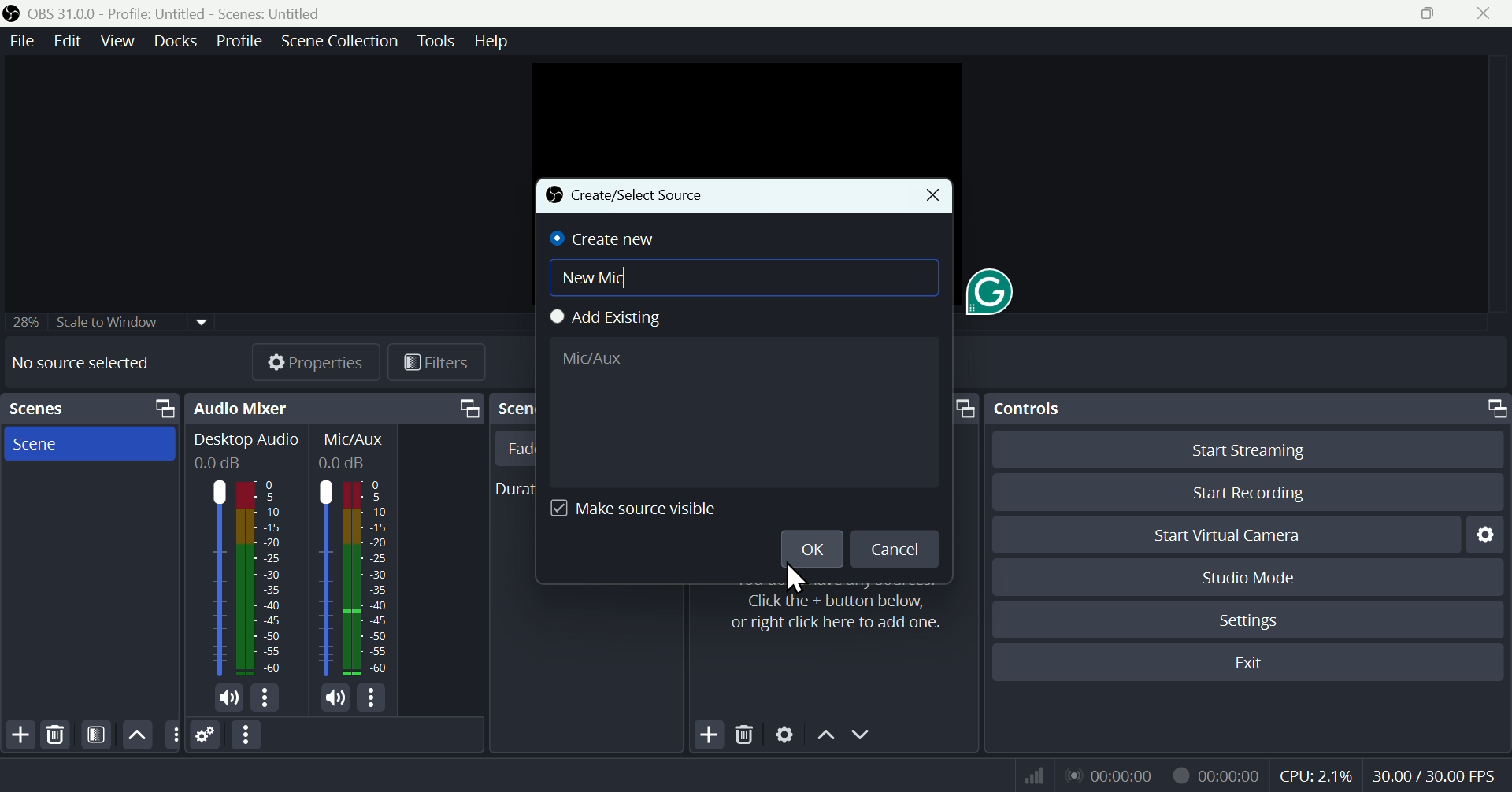 This screenshot has width=1512, height=792. What do you see at coordinates (20, 42) in the screenshot?
I see `File` at bounding box center [20, 42].